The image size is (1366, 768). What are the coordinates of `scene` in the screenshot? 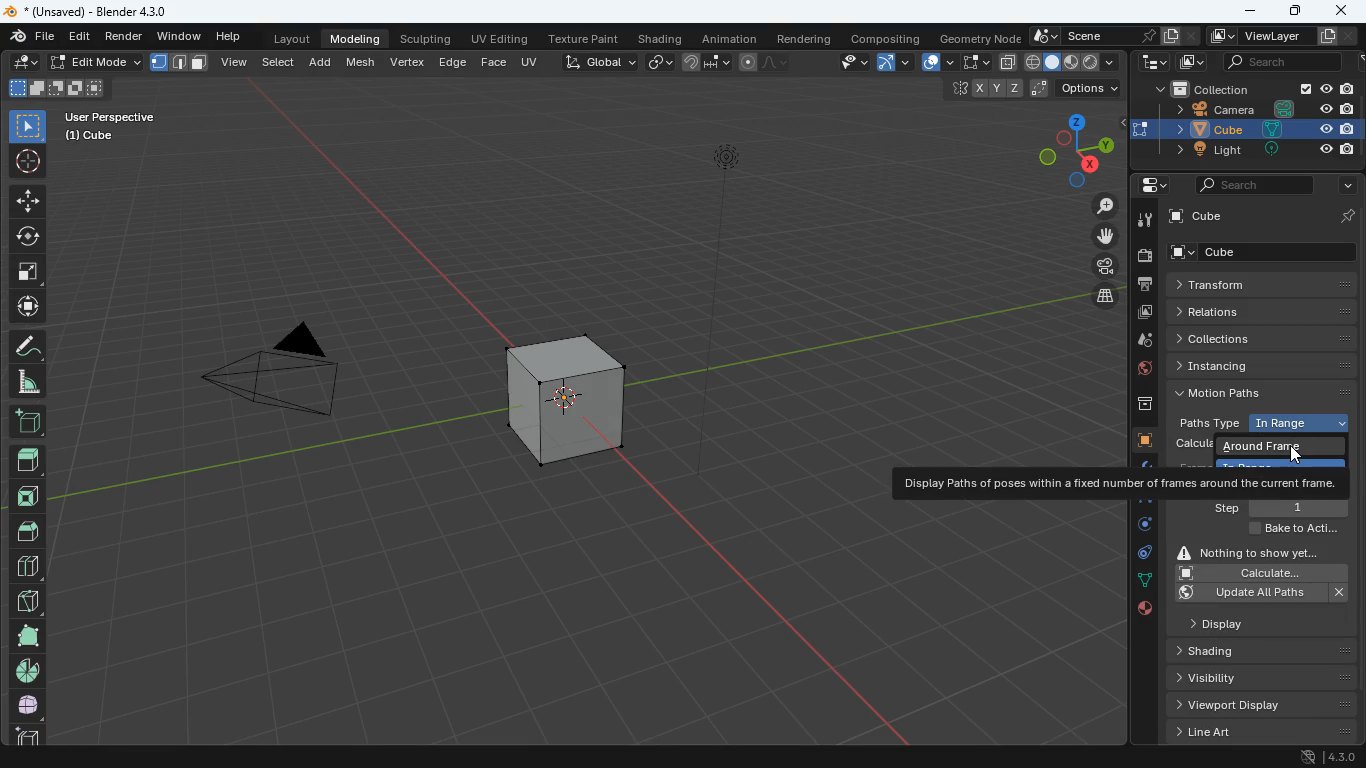 It's located at (1109, 36).